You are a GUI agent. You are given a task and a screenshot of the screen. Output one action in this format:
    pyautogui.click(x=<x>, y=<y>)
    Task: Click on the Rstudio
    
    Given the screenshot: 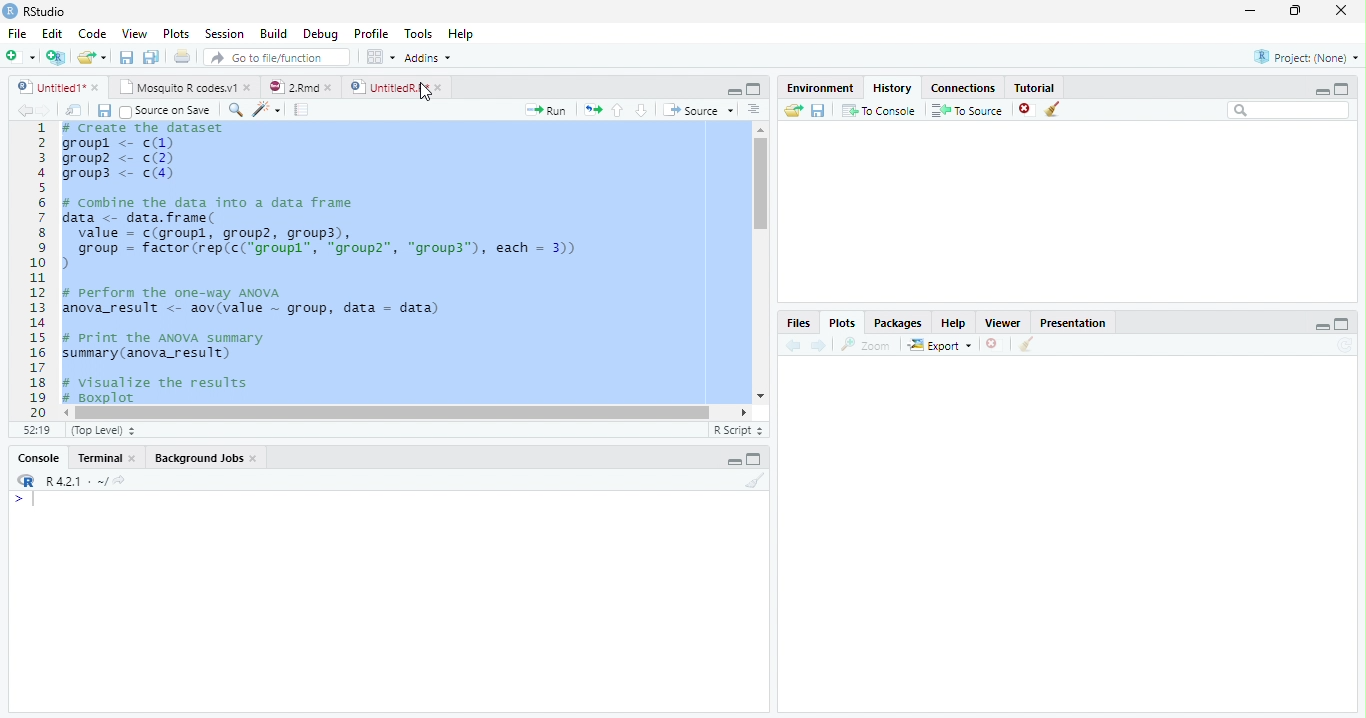 What is the action you would take?
    pyautogui.click(x=33, y=9)
    